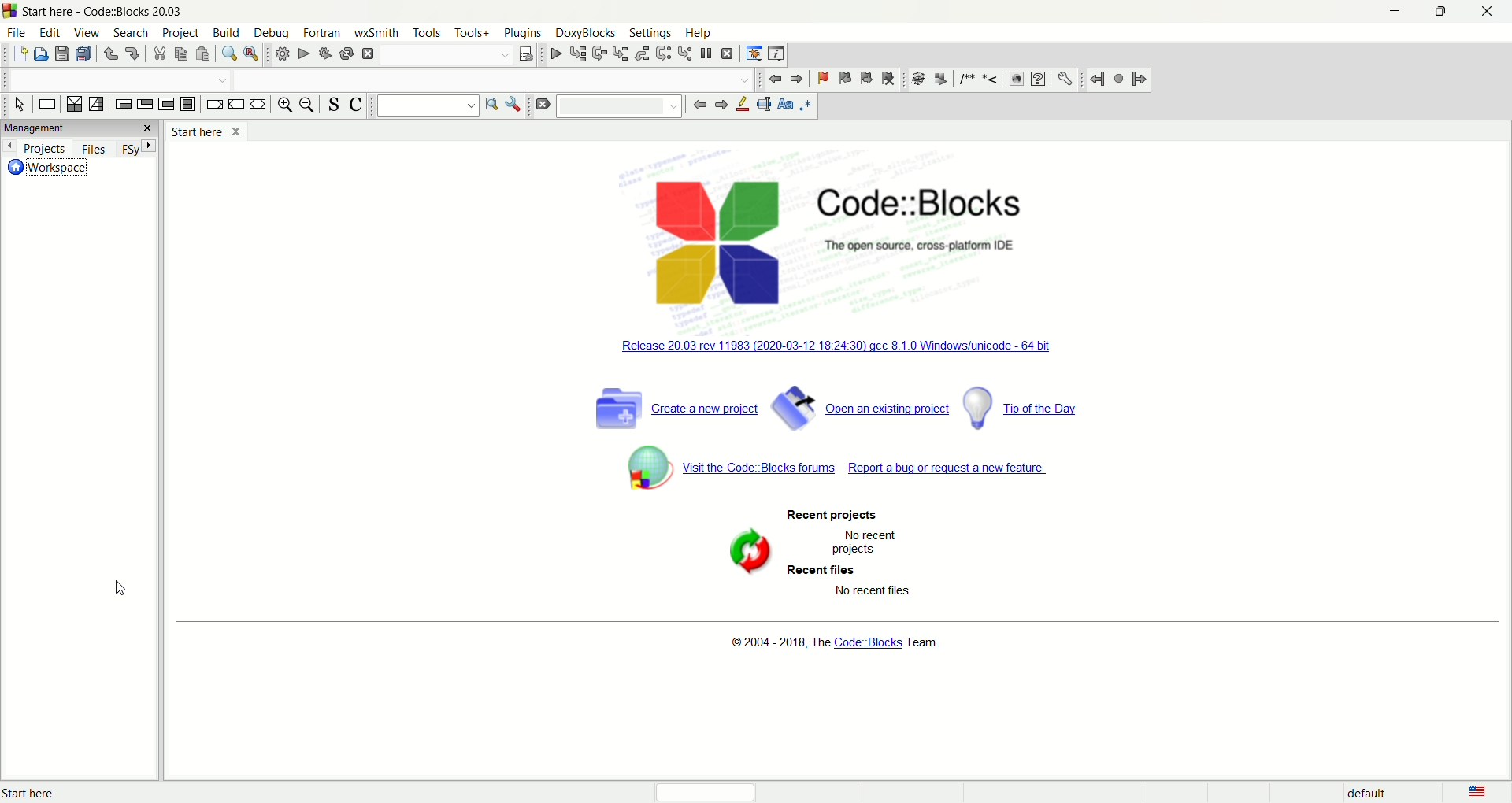 The image size is (1512, 803). I want to click on match case, so click(787, 103).